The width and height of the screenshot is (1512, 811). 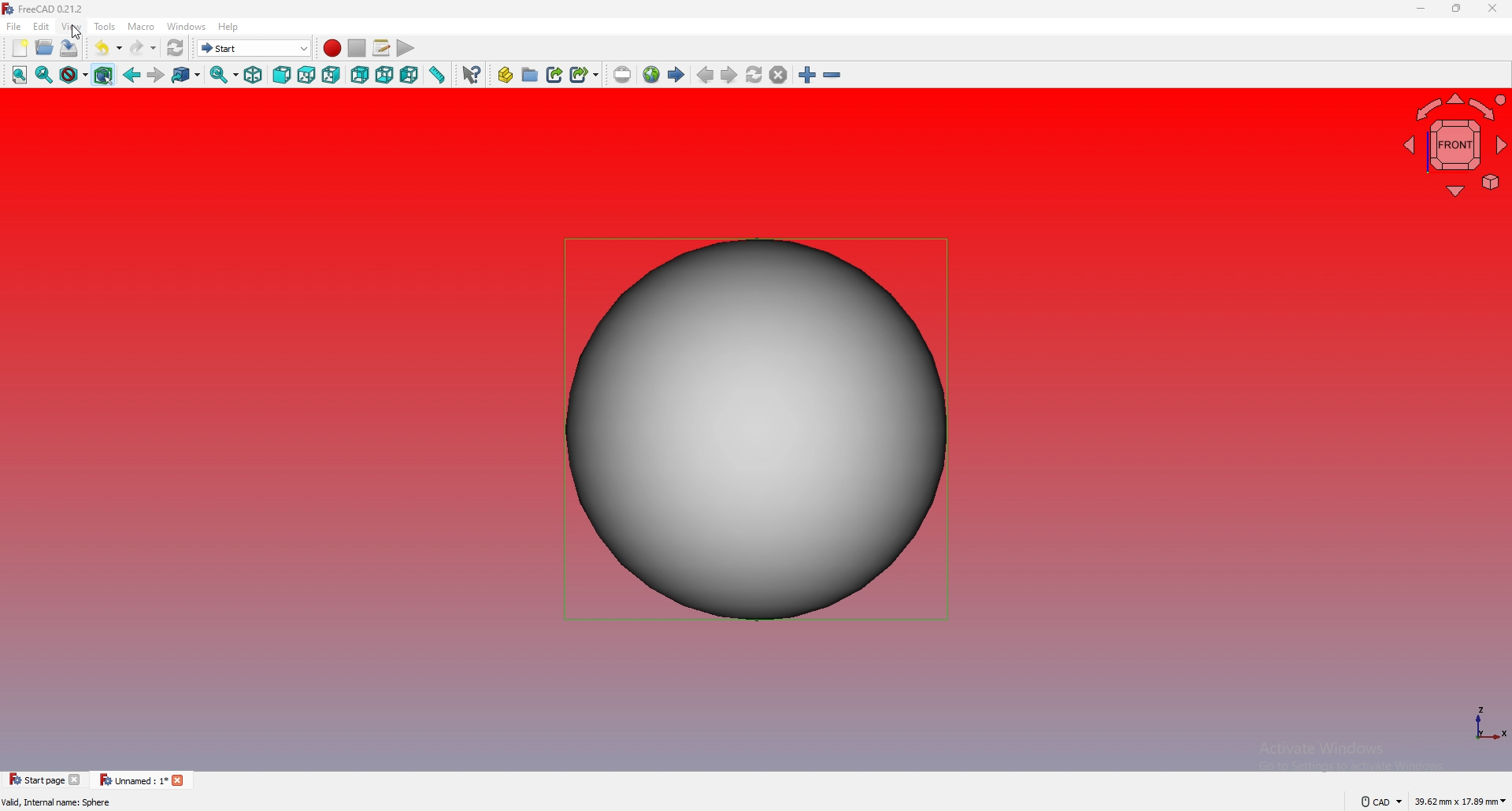 I want to click on draw style, so click(x=74, y=76).